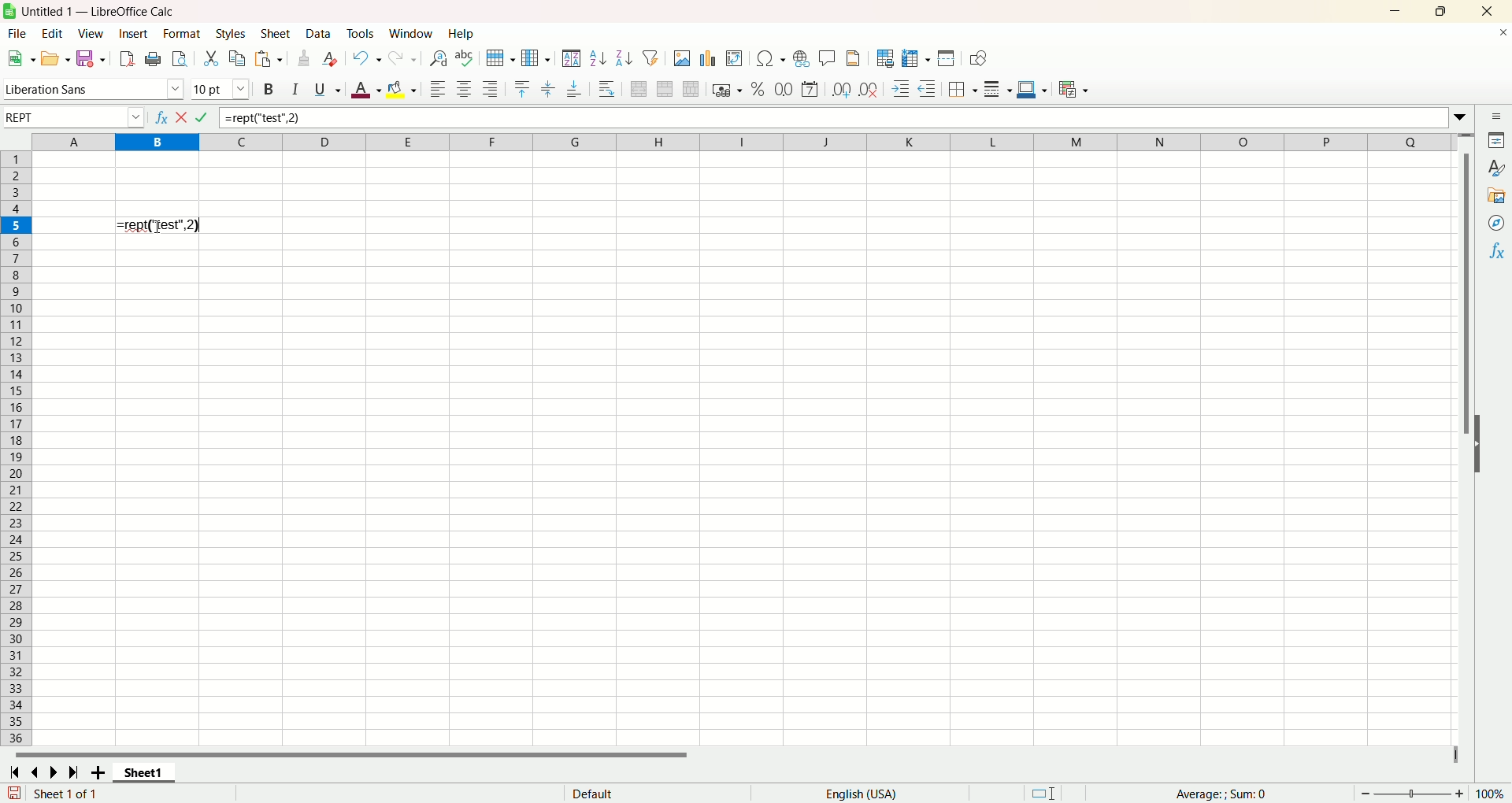  What do you see at coordinates (1462, 117) in the screenshot?
I see `Expand formula bar` at bounding box center [1462, 117].